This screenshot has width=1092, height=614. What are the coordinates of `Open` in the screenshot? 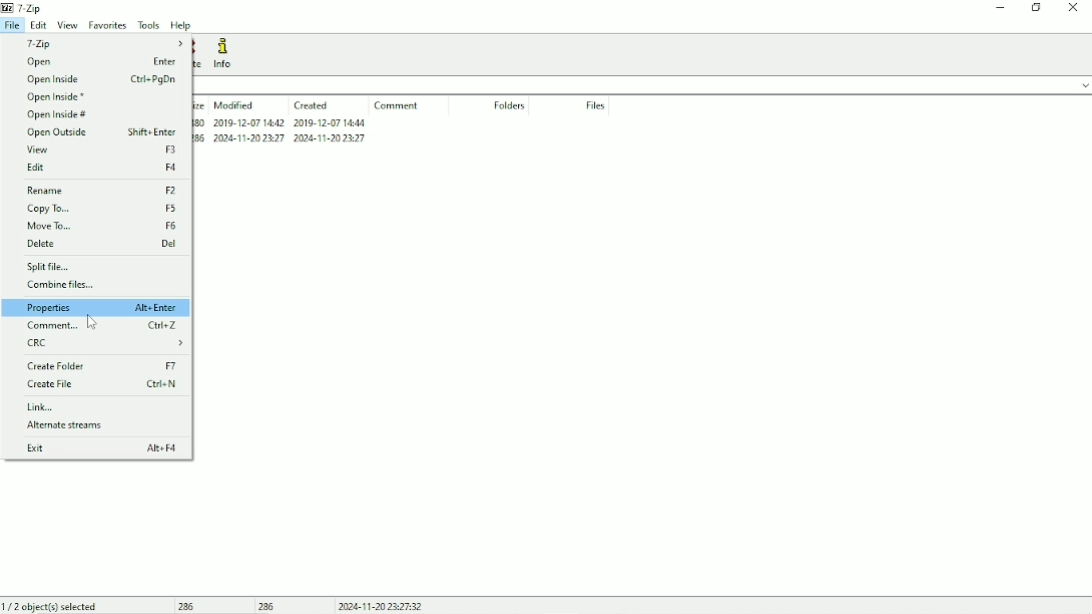 It's located at (98, 62).